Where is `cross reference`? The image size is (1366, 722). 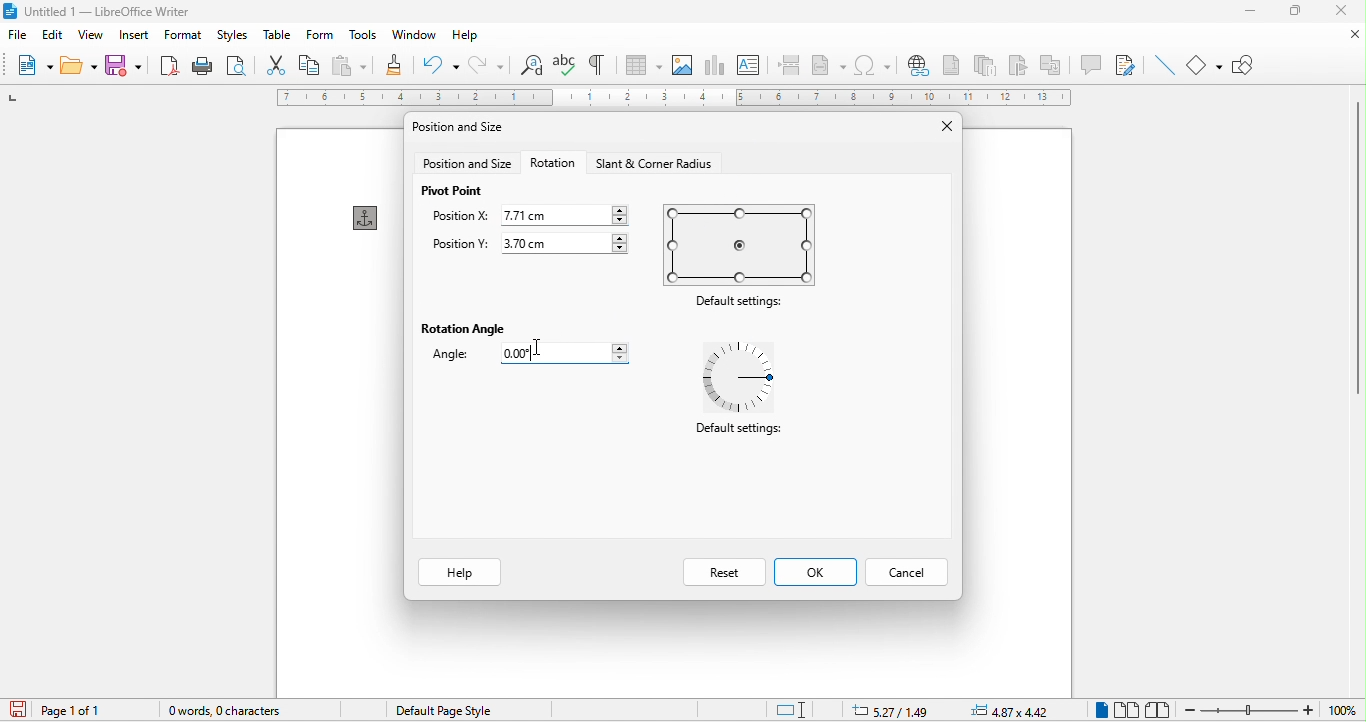
cross reference is located at coordinates (1056, 64).